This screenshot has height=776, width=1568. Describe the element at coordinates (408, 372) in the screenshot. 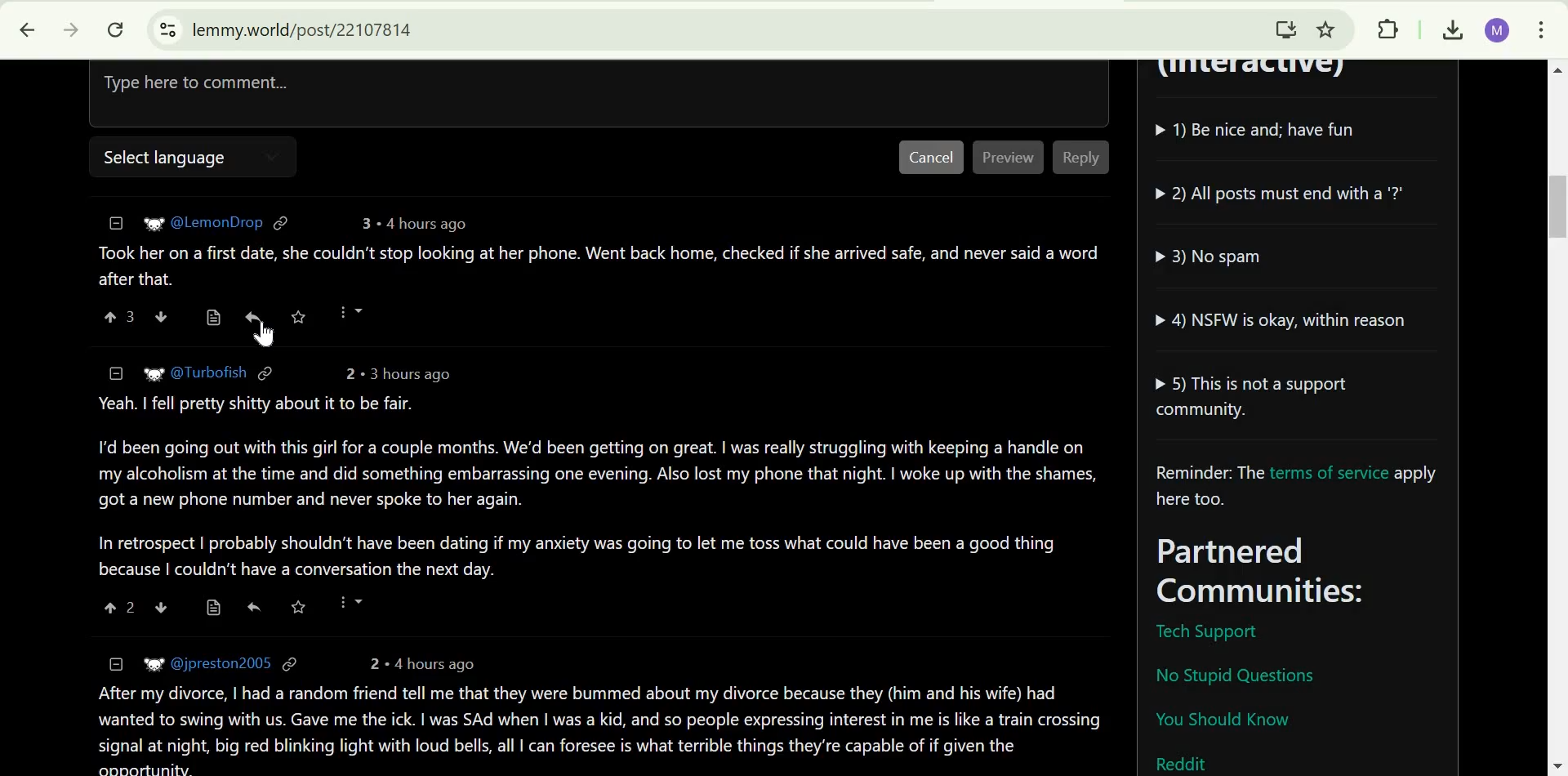

I see `3 hours ago` at that location.